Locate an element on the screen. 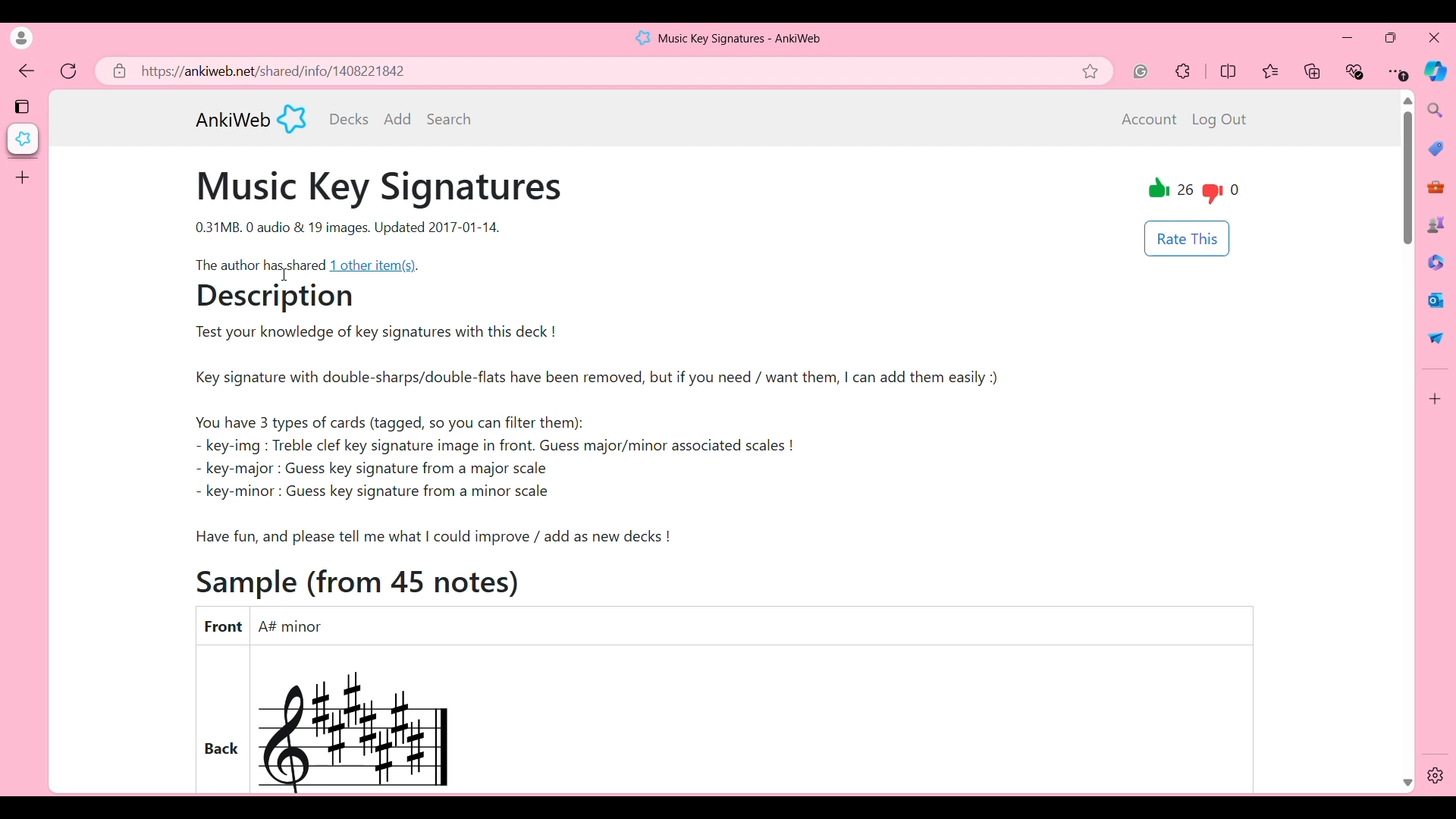 This screenshot has width=1456, height=819. ANkiWeb is located at coordinates (233, 120).